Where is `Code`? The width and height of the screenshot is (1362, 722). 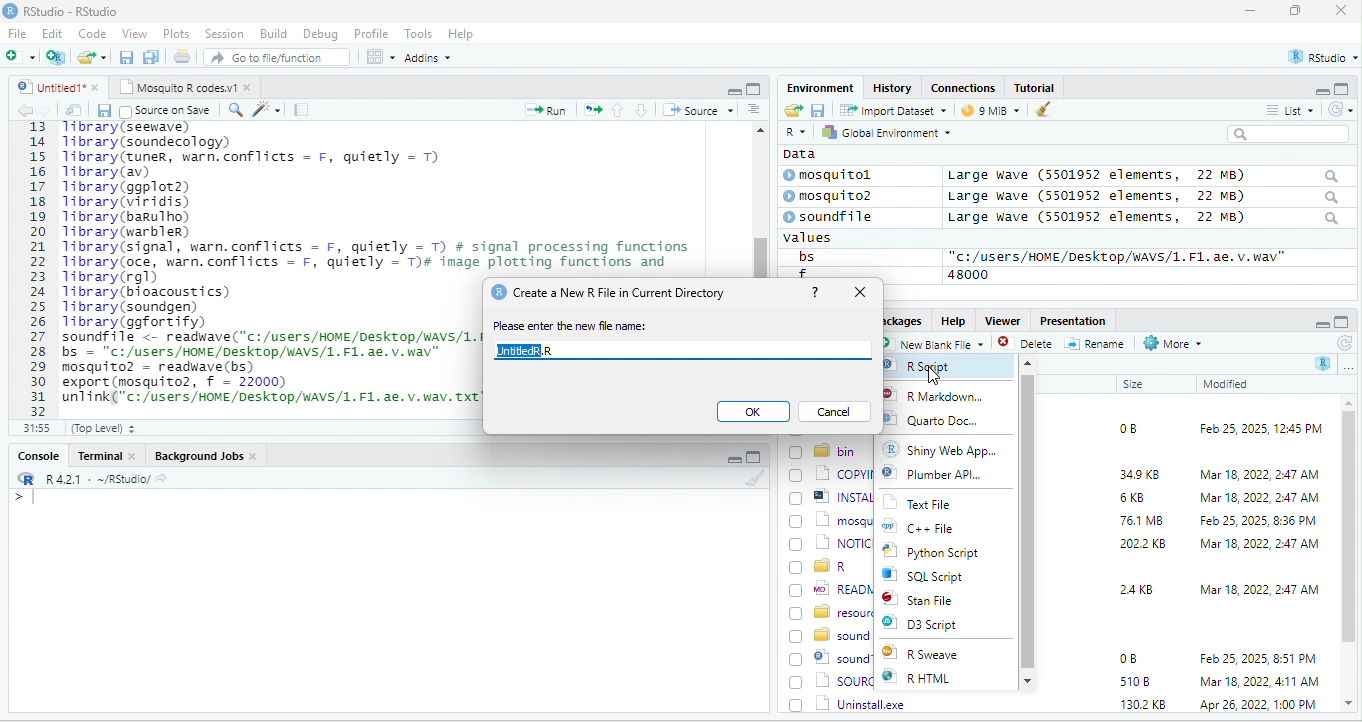
Code is located at coordinates (93, 33).